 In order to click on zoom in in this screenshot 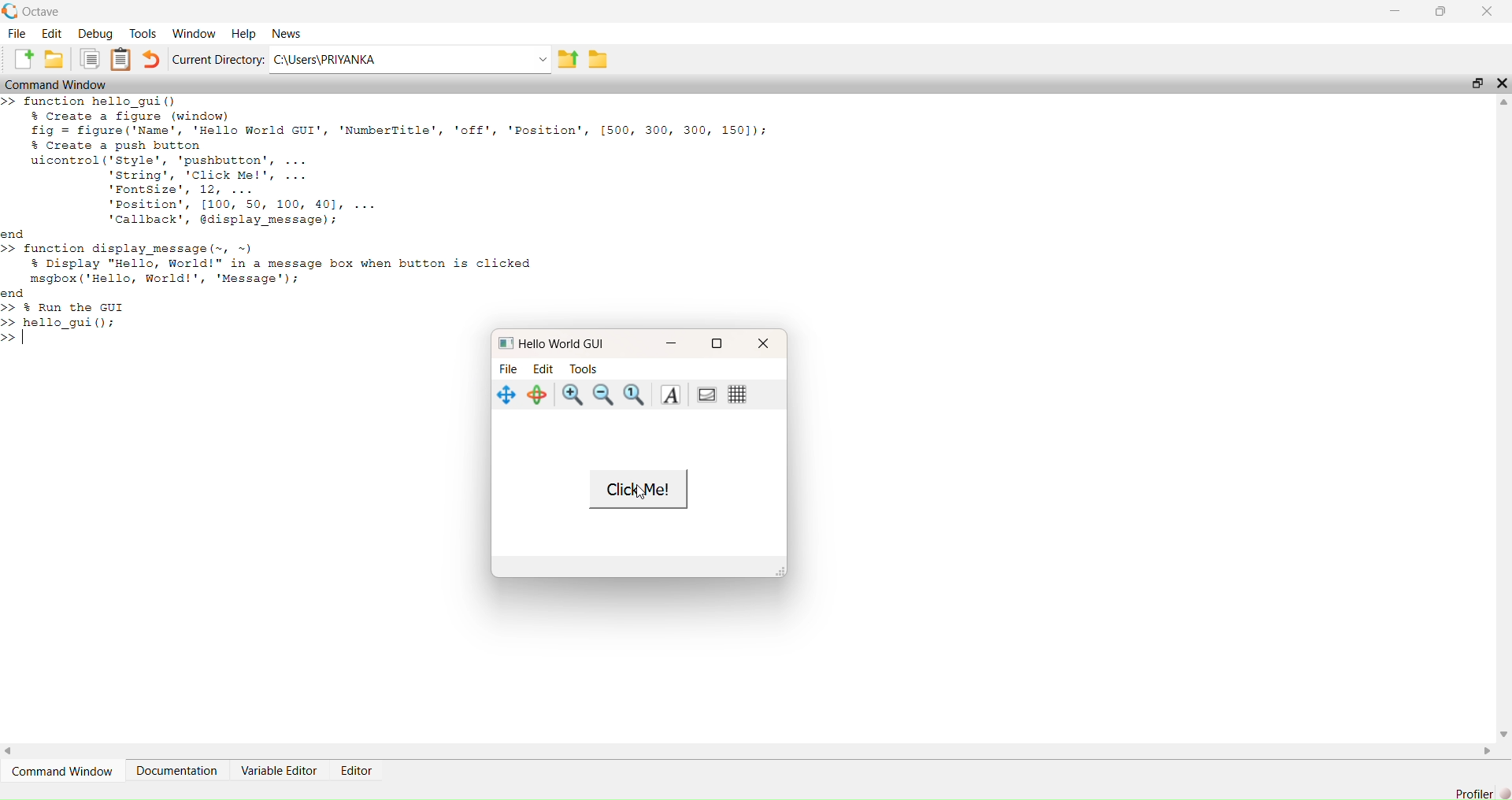, I will do `click(570, 396)`.